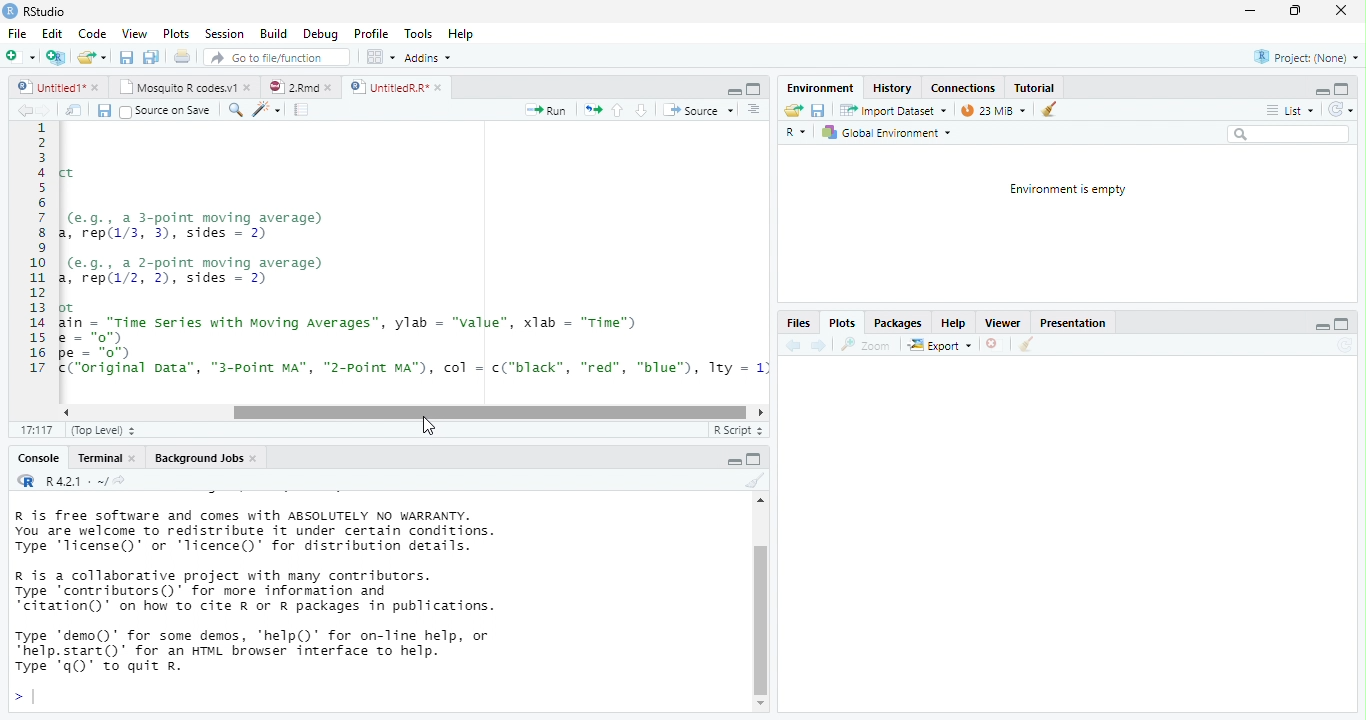  What do you see at coordinates (753, 481) in the screenshot?
I see `clear` at bounding box center [753, 481].